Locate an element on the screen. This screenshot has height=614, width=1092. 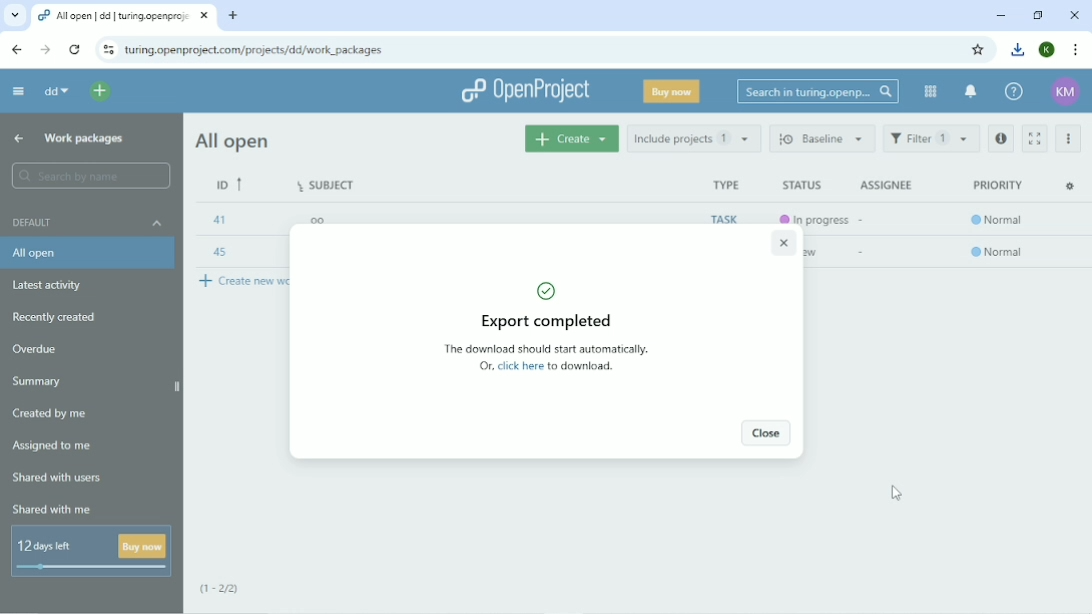
Task is located at coordinates (721, 219).